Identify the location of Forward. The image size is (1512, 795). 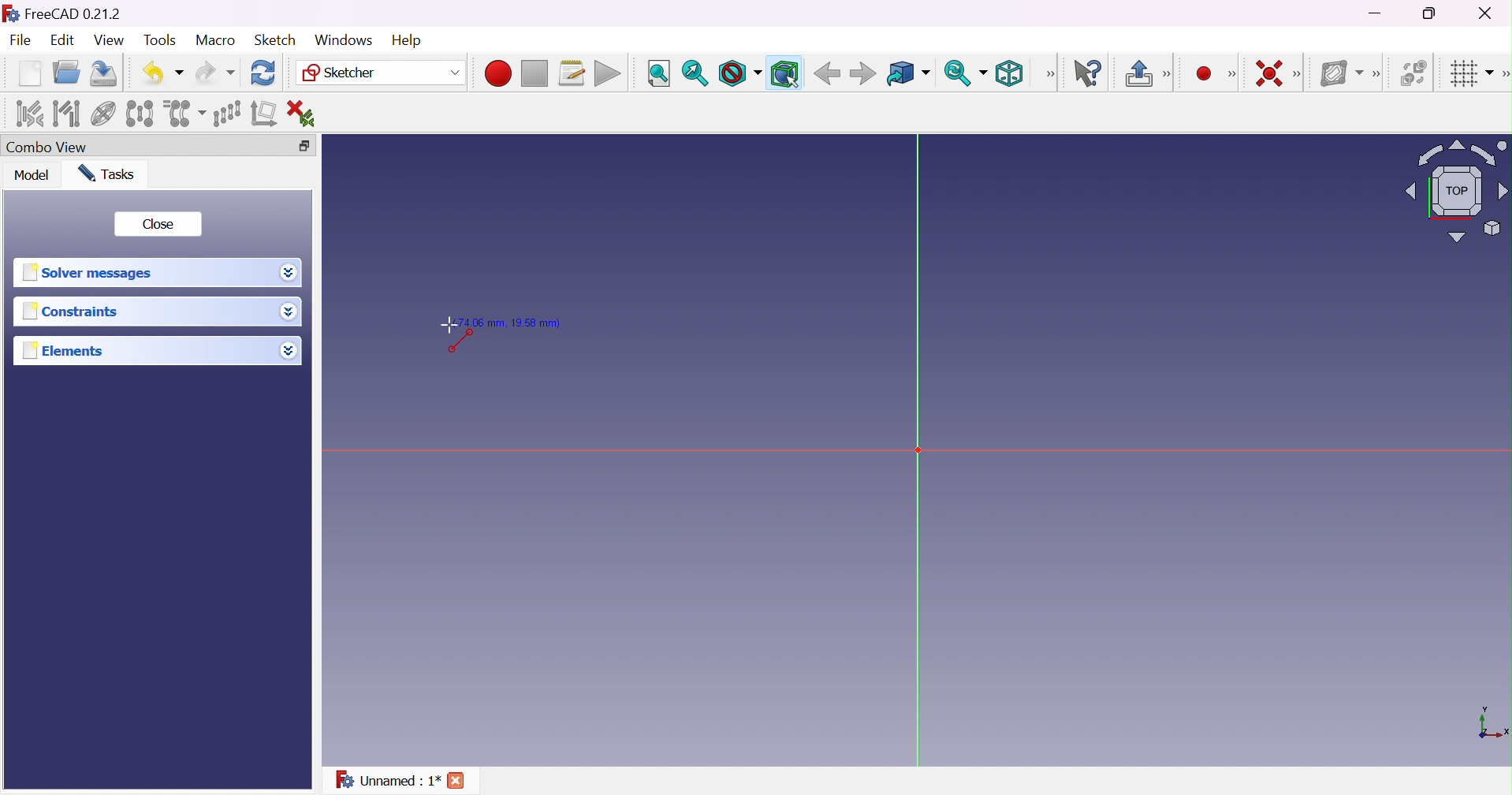
(863, 75).